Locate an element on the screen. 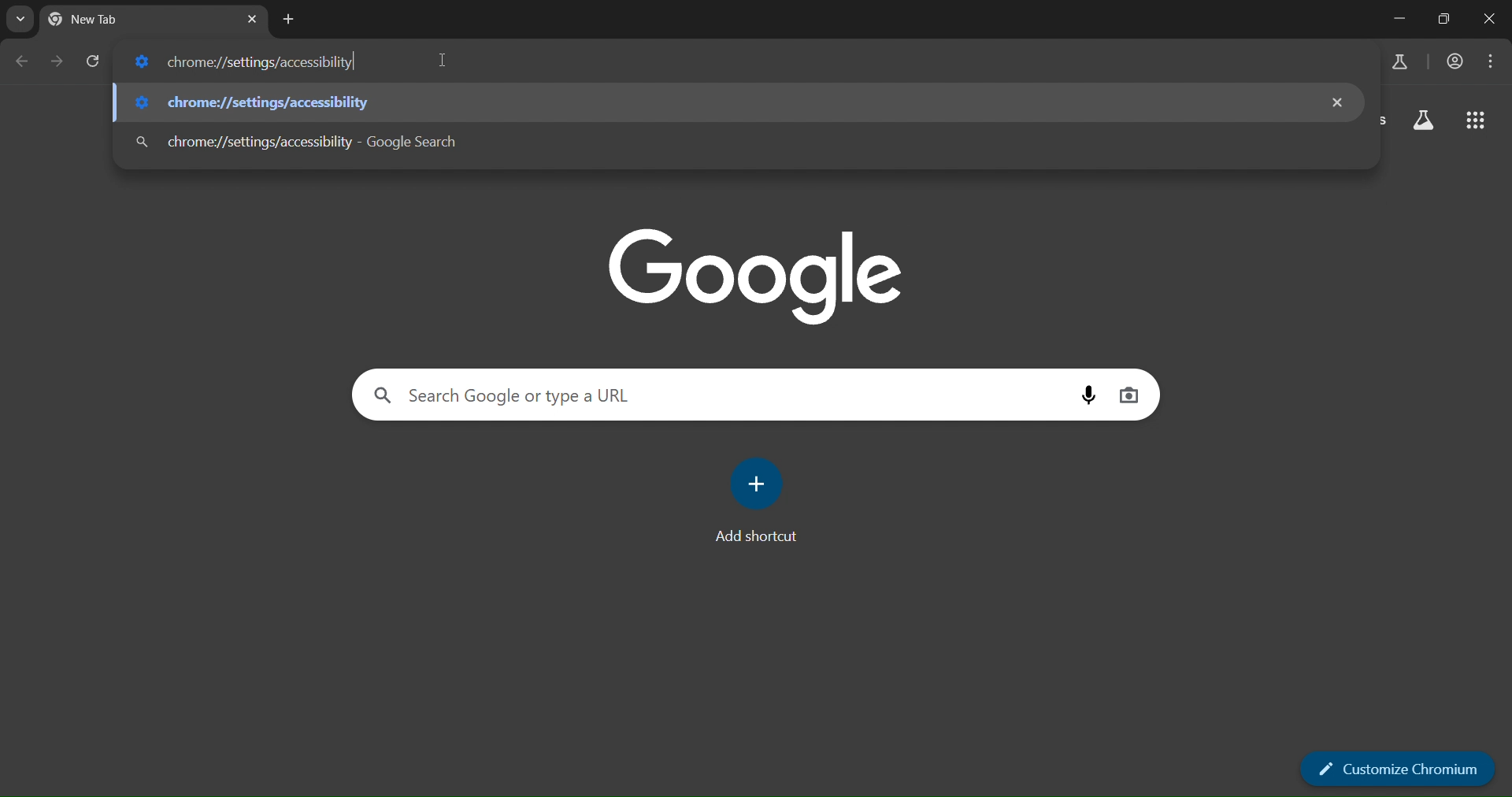  close tab is located at coordinates (252, 21).